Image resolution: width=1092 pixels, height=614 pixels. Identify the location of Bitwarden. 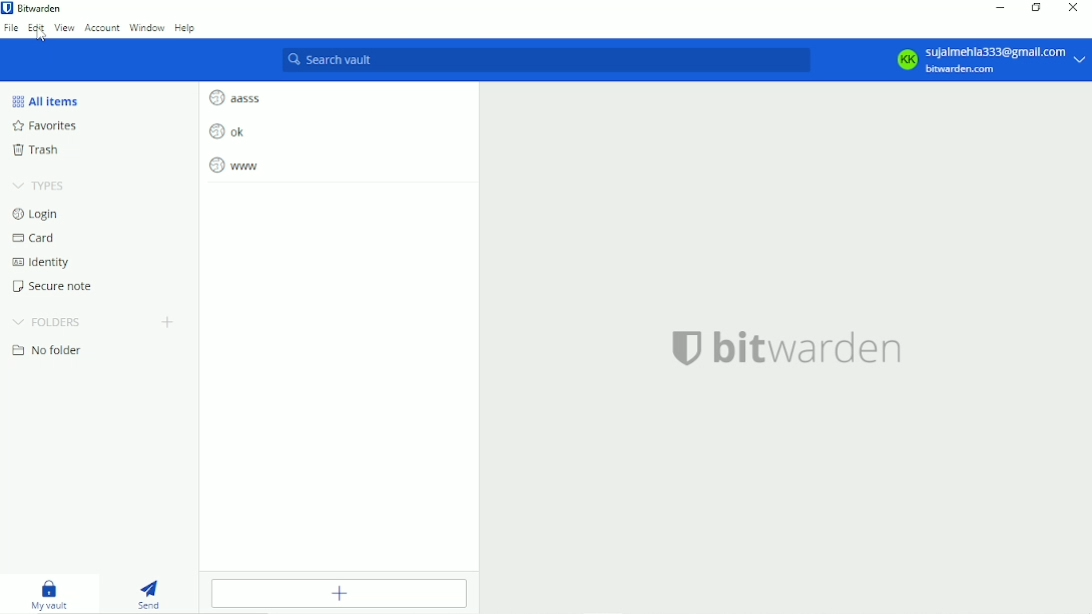
(42, 8).